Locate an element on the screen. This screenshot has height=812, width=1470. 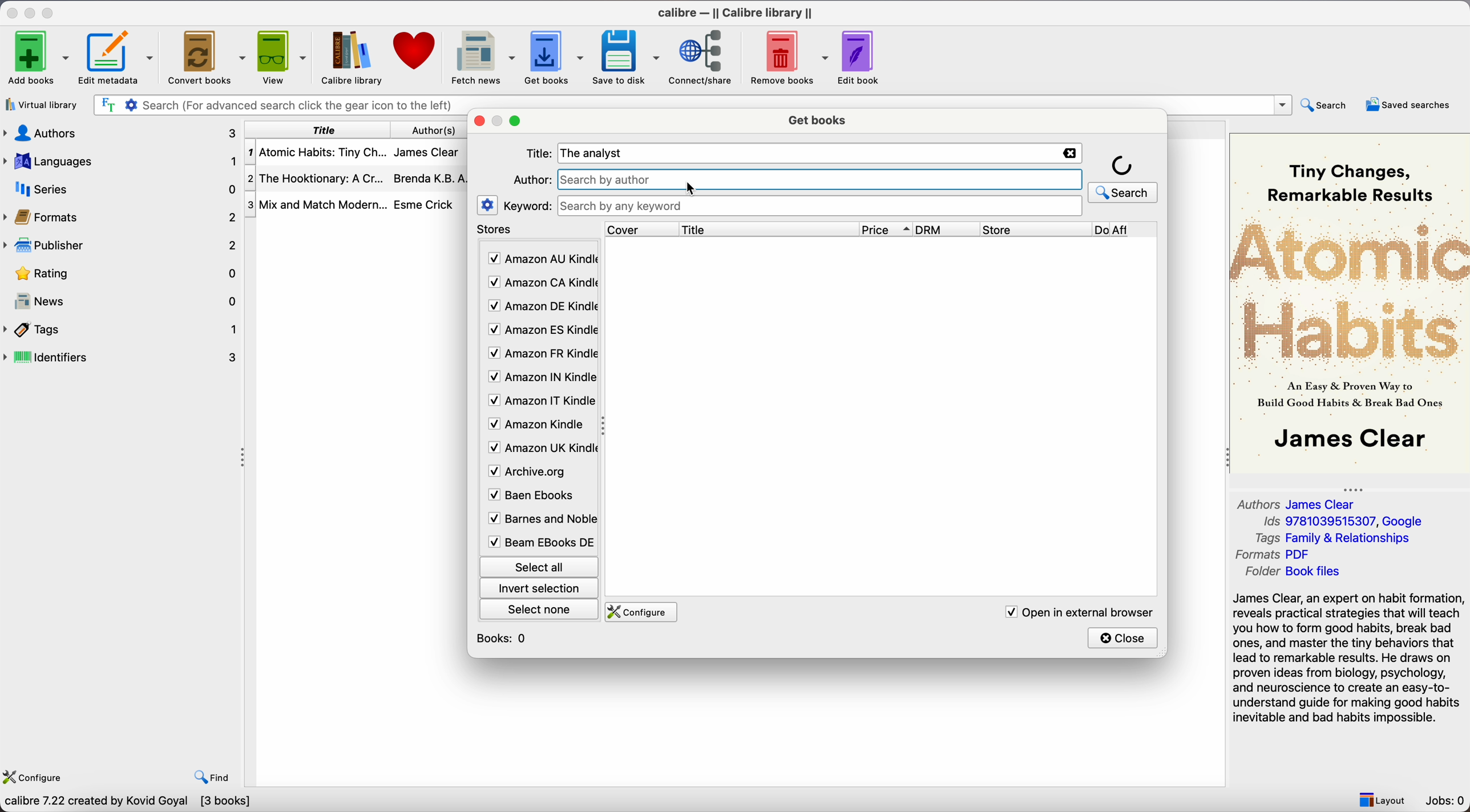
layout is located at coordinates (1382, 800).